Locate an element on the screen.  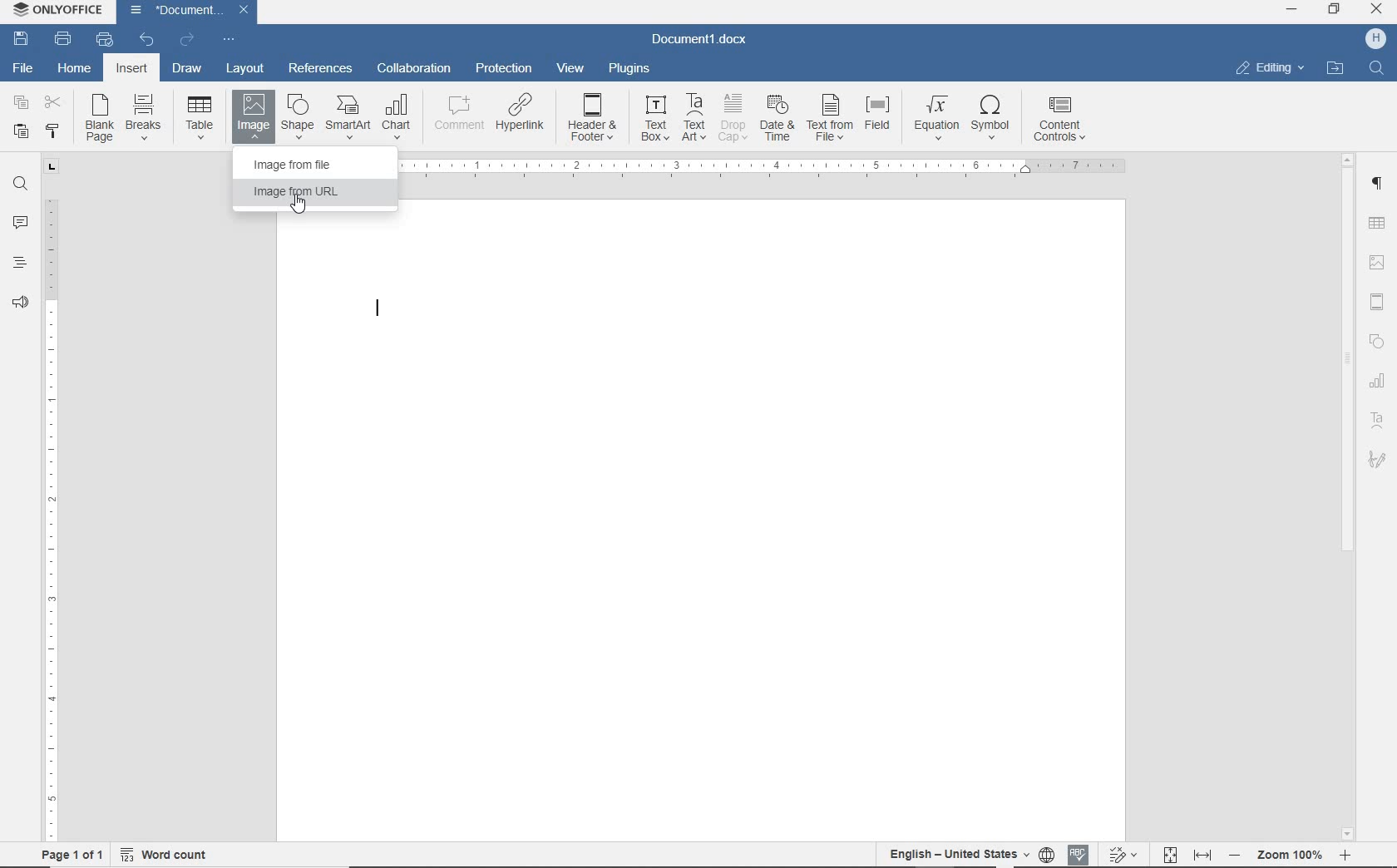
spell checking is located at coordinates (1077, 854).